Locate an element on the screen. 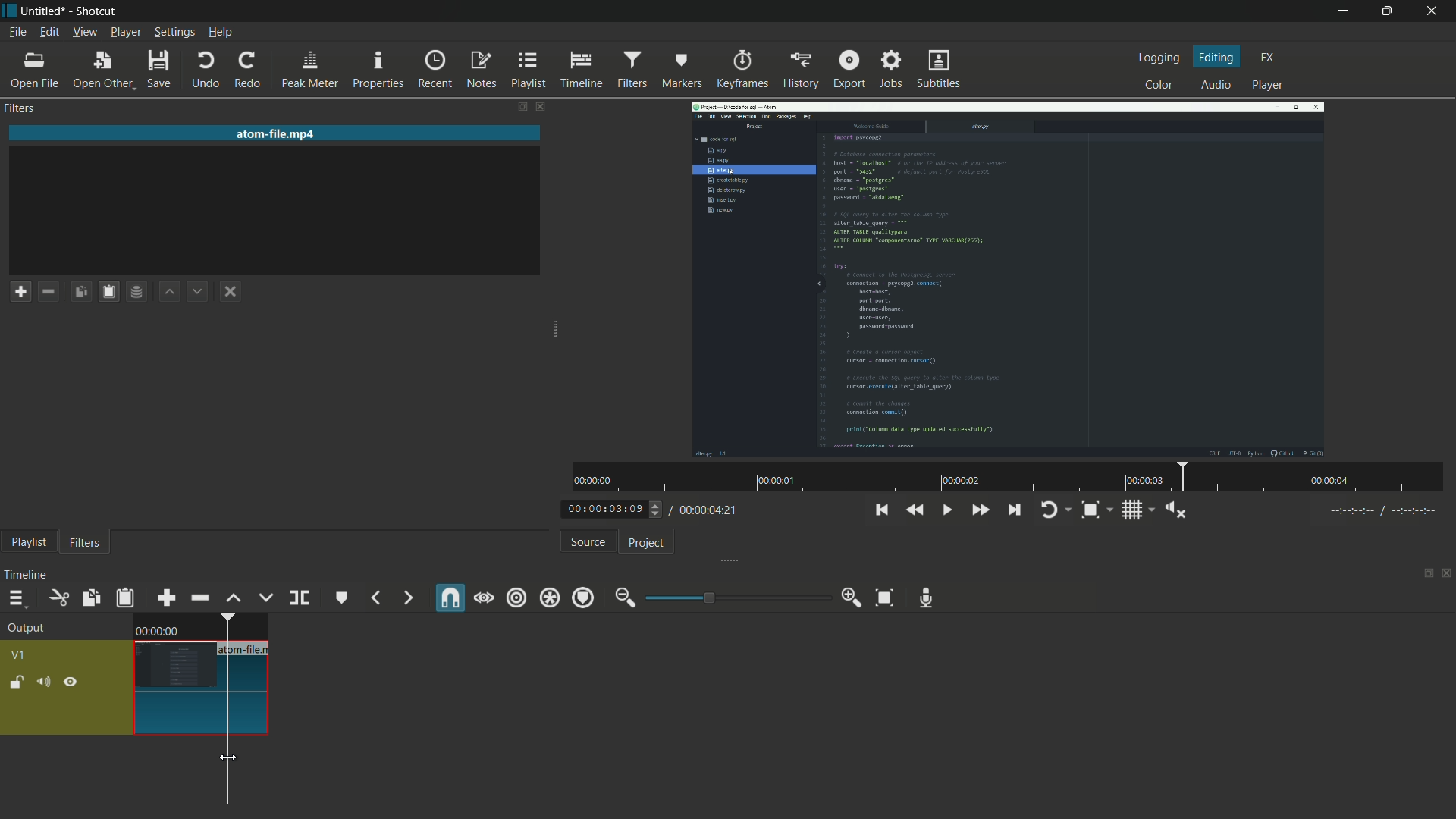 This screenshot has width=1456, height=819. timeline menu is located at coordinates (16, 598).